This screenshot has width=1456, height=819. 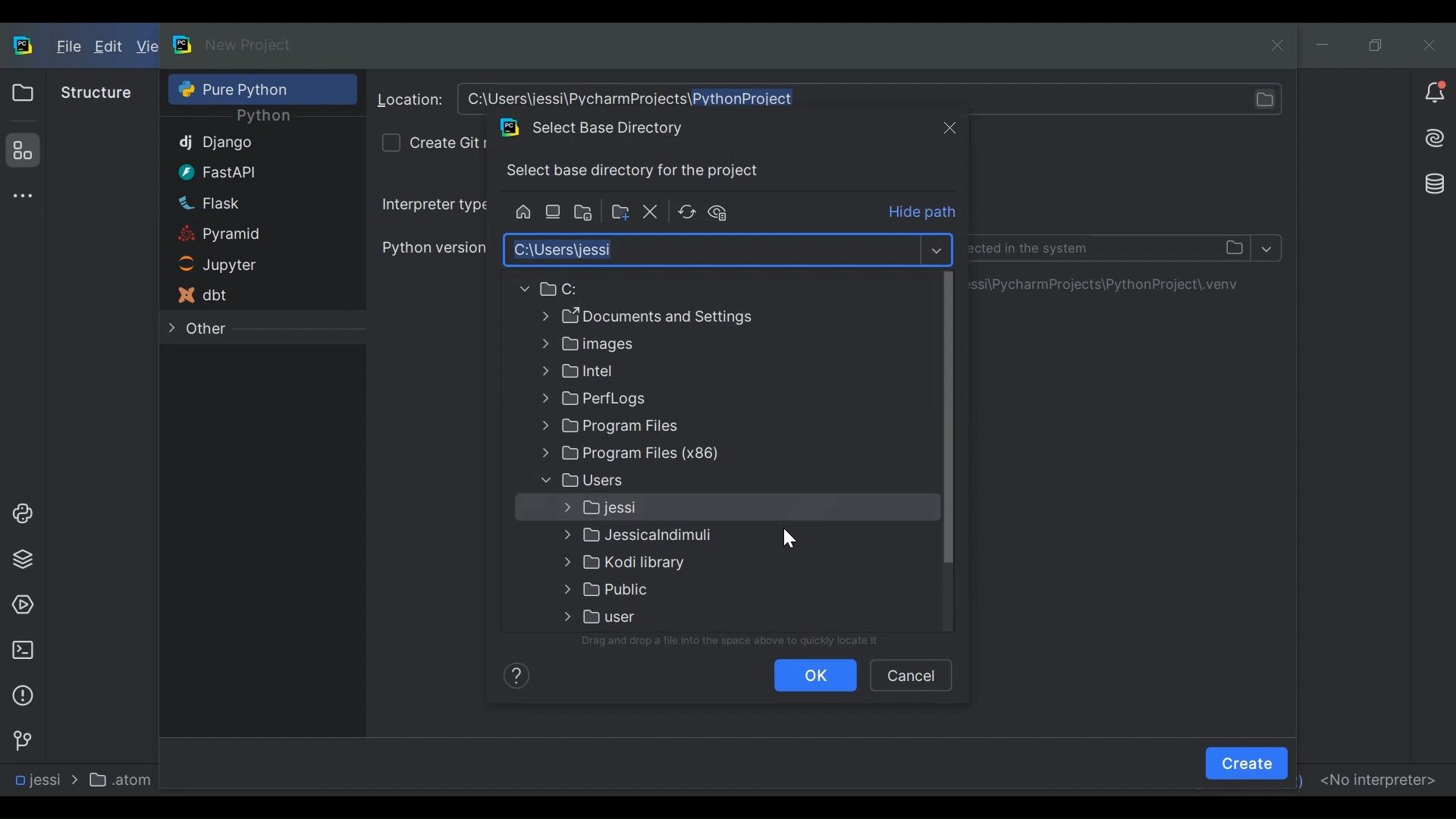 What do you see at coordinates (667, 589) in the screenshot?
I see `submenu Folder Path` at bounding box center [667, 589].